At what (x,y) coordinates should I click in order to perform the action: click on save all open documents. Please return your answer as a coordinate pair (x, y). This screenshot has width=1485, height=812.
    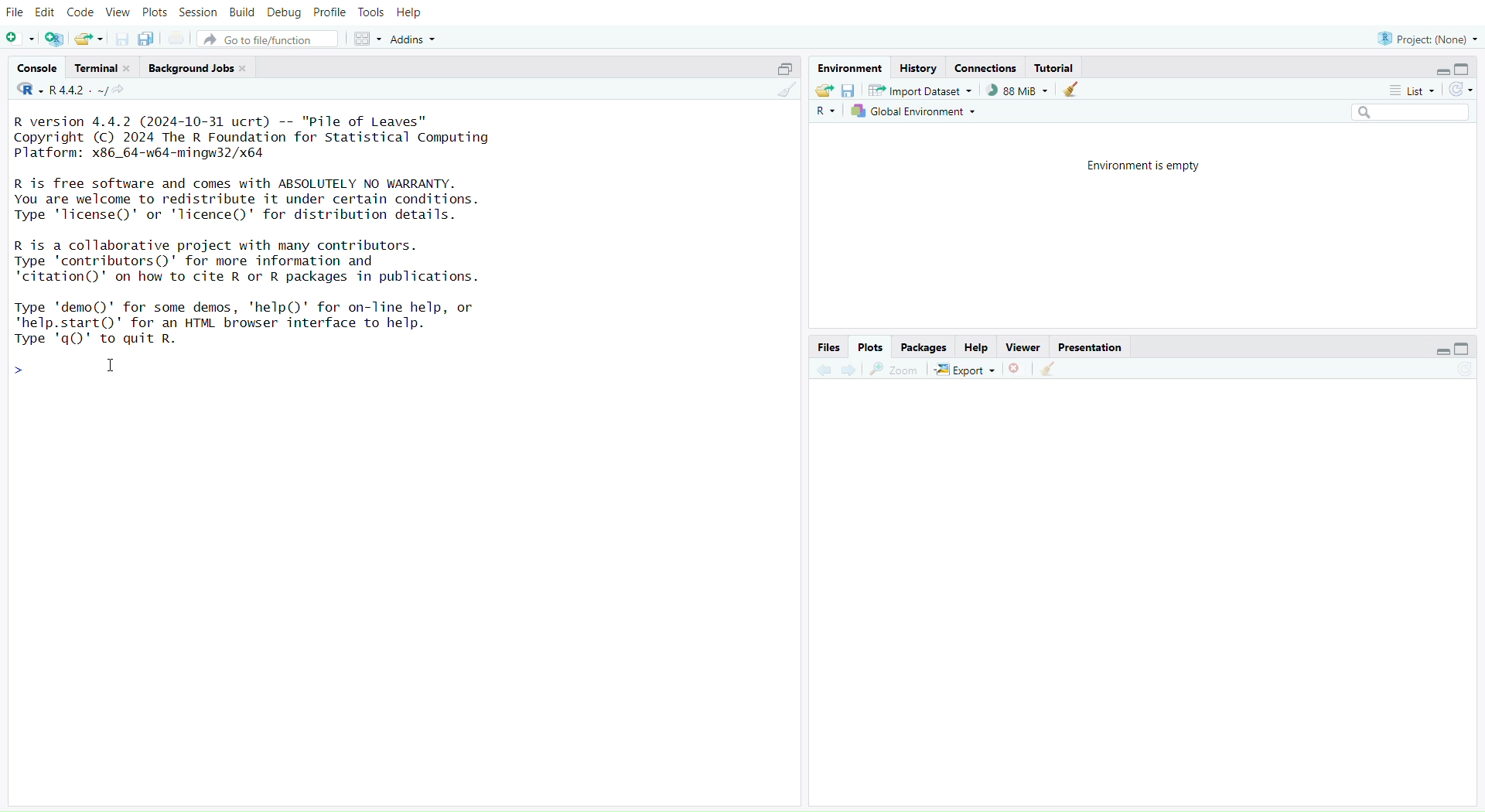
    Looking at the image, I should click on (146, 39).